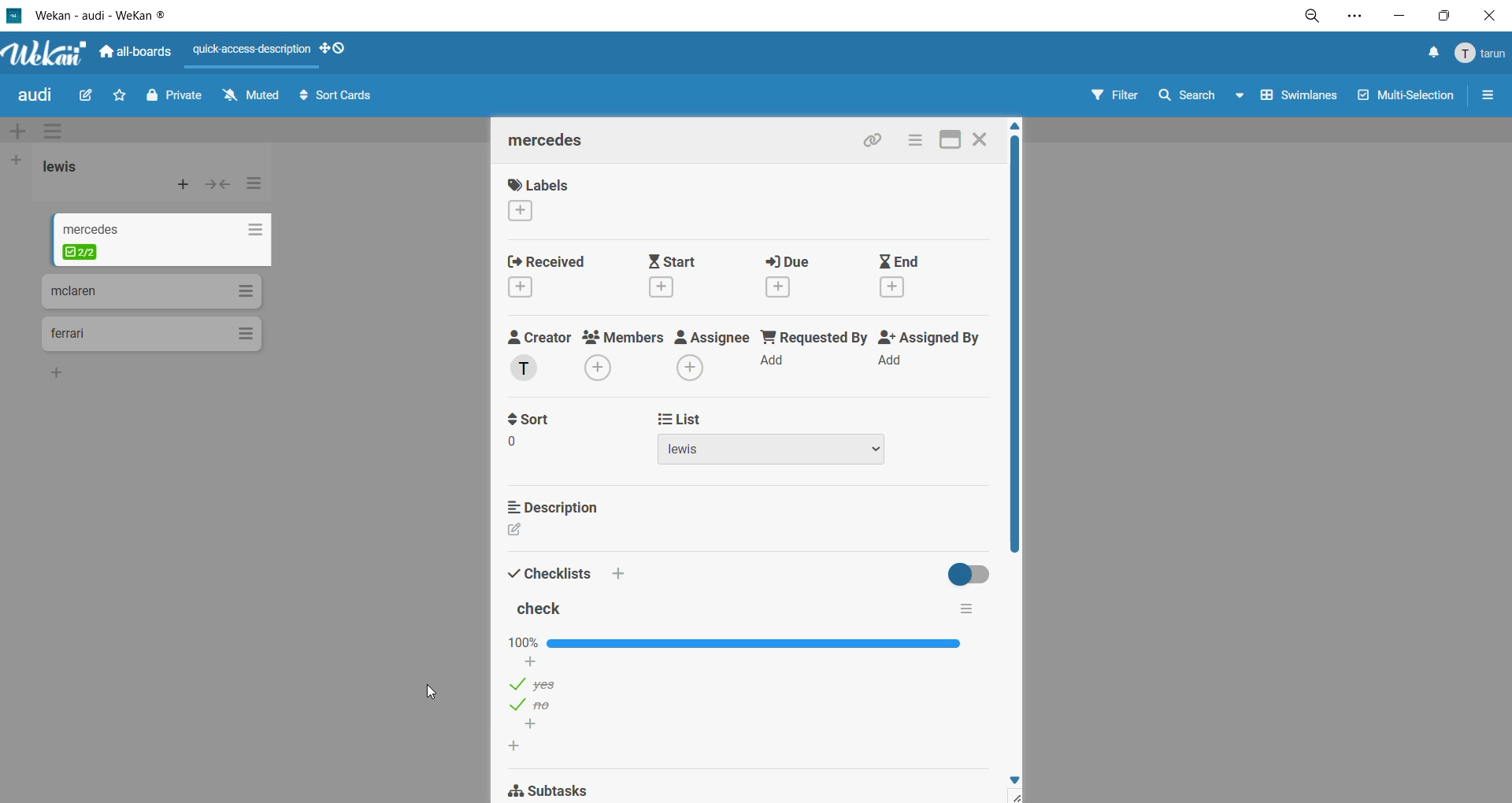 The image size is (1512, 803). Describe the element at coordinates (811, 352) in the screenshot. I see `requested by` at that location.